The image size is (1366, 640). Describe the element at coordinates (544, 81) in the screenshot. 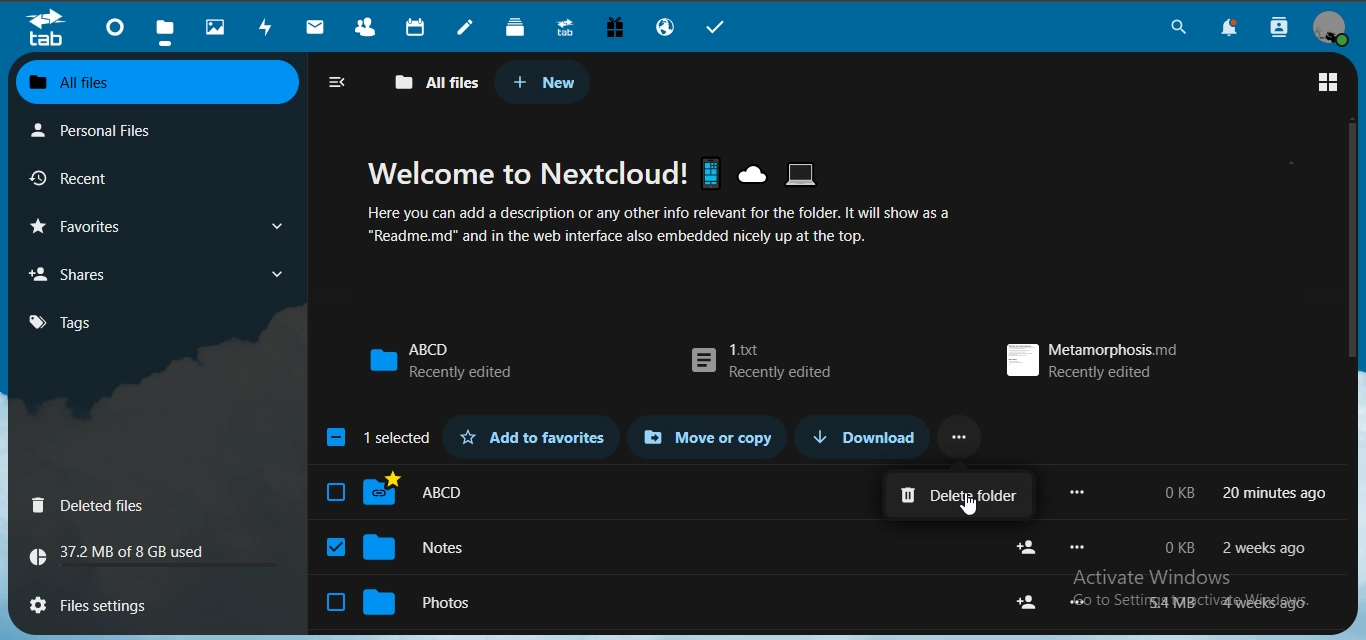

I see `new` at that location.